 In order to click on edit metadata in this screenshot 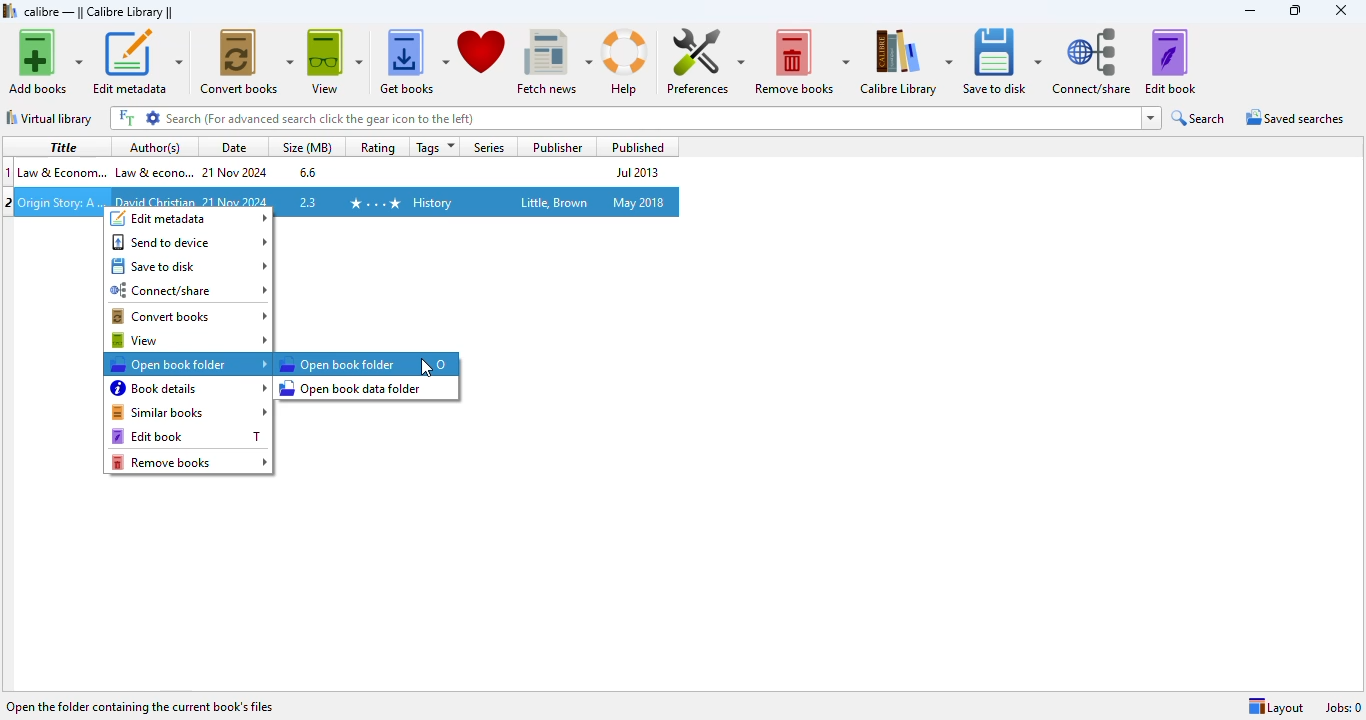, I will do `click(137, 61)`.